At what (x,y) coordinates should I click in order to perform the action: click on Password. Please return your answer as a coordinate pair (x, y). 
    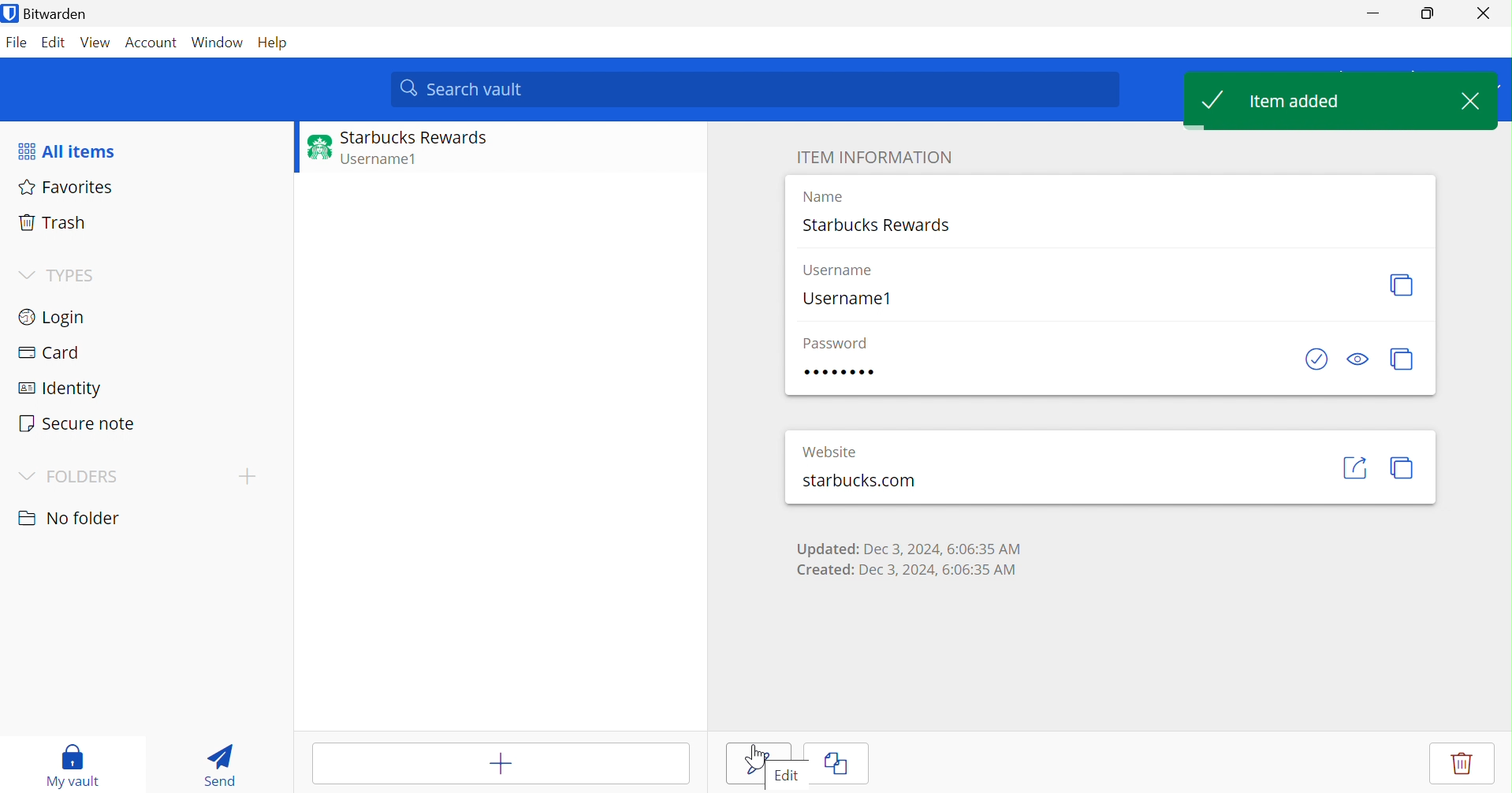
    Looking at the image, I should click on (838, 344).